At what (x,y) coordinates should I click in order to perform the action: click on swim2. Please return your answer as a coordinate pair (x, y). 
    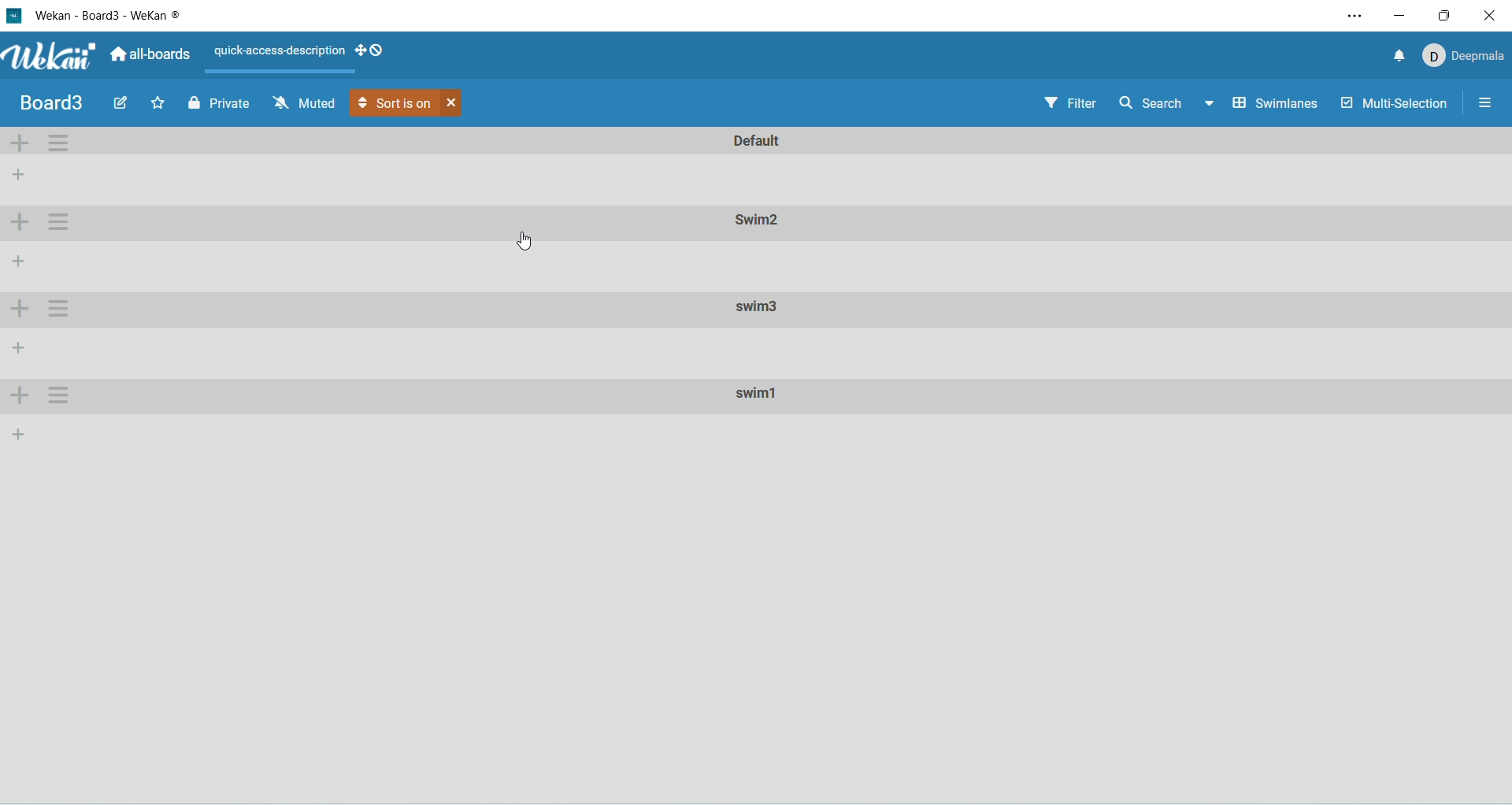
    Looking at the image, I should click on (754, 223).